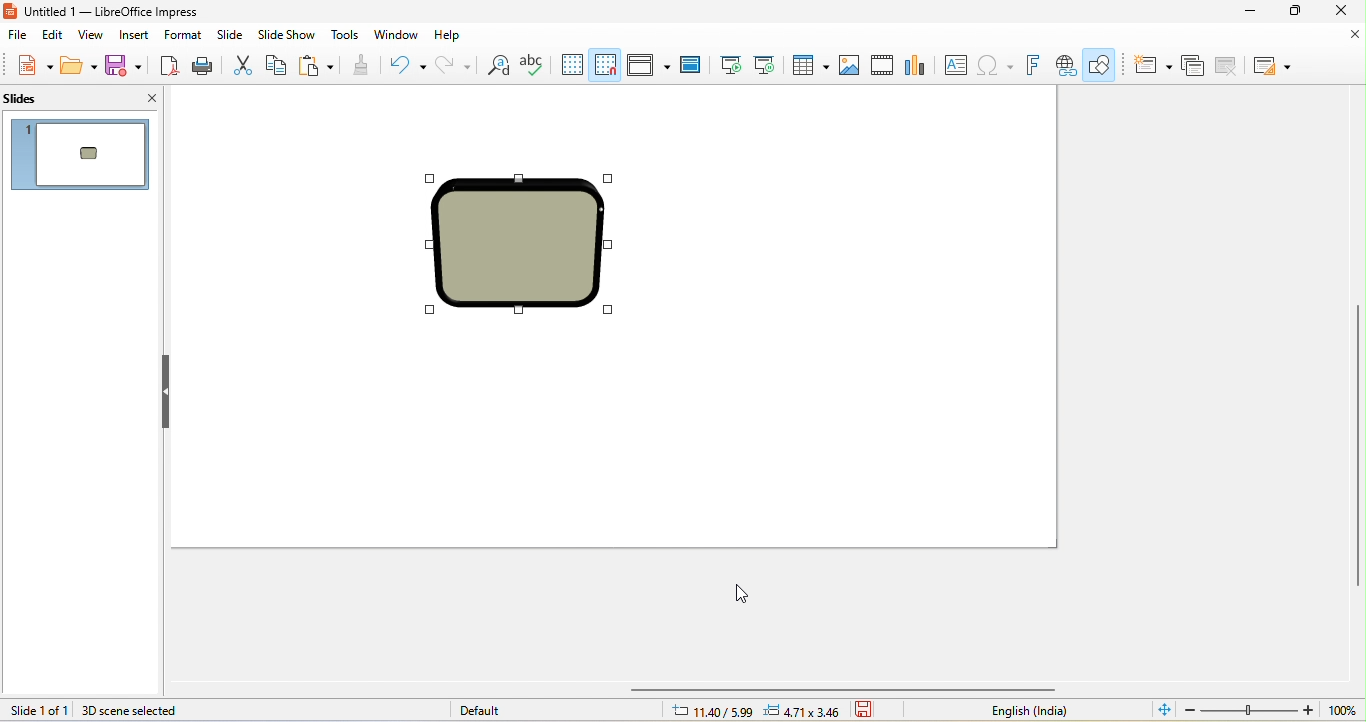  What do you see at coordinates (97, 34) in the screenshot?
I see `view` at bounding box center [97, 34].